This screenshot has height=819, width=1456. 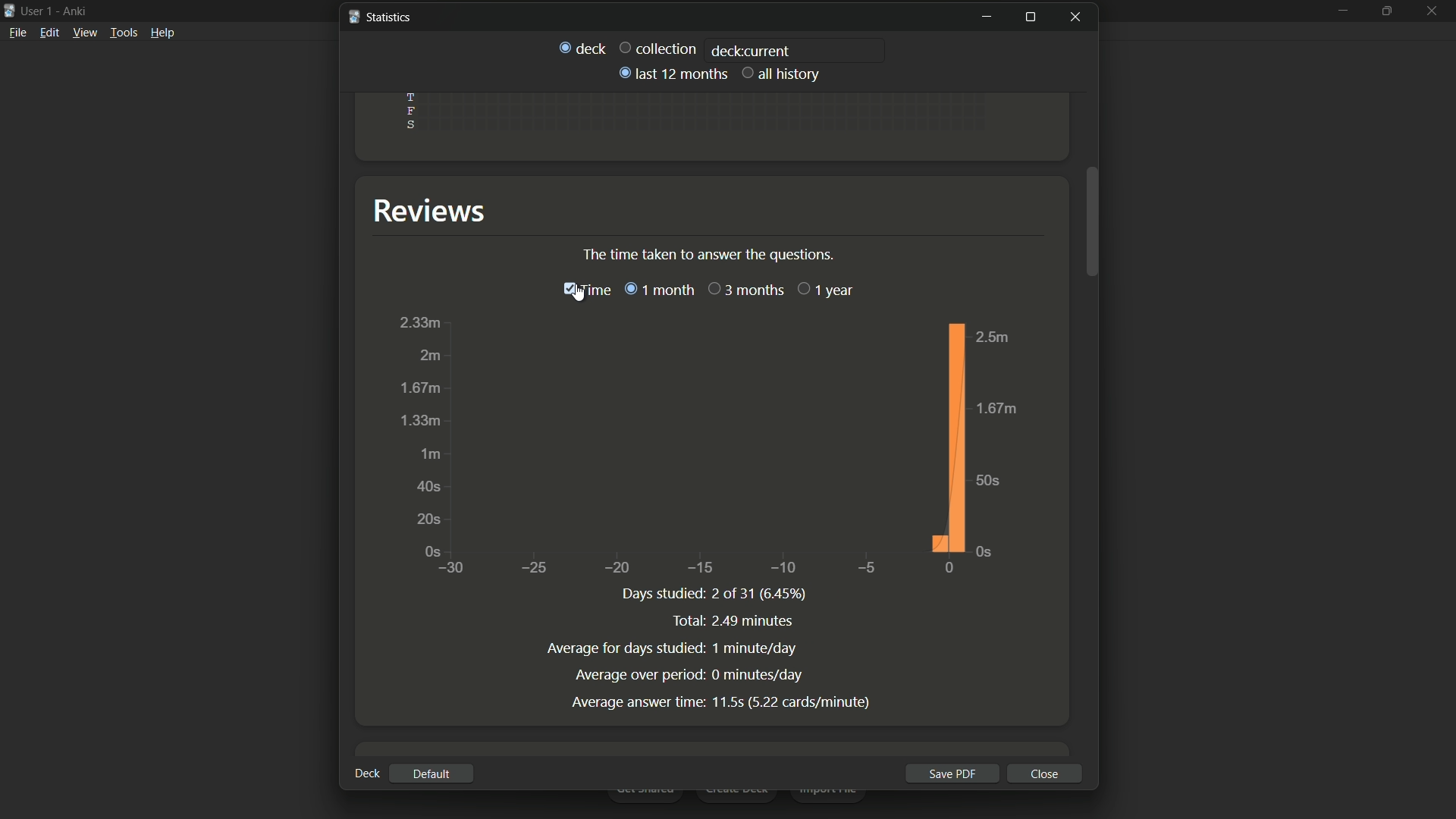 What do you see at coordinates (798, 701) in the screenshot?
I see `11.5s(5.22 cards per minnutes)` at bounding box center [798, 701].